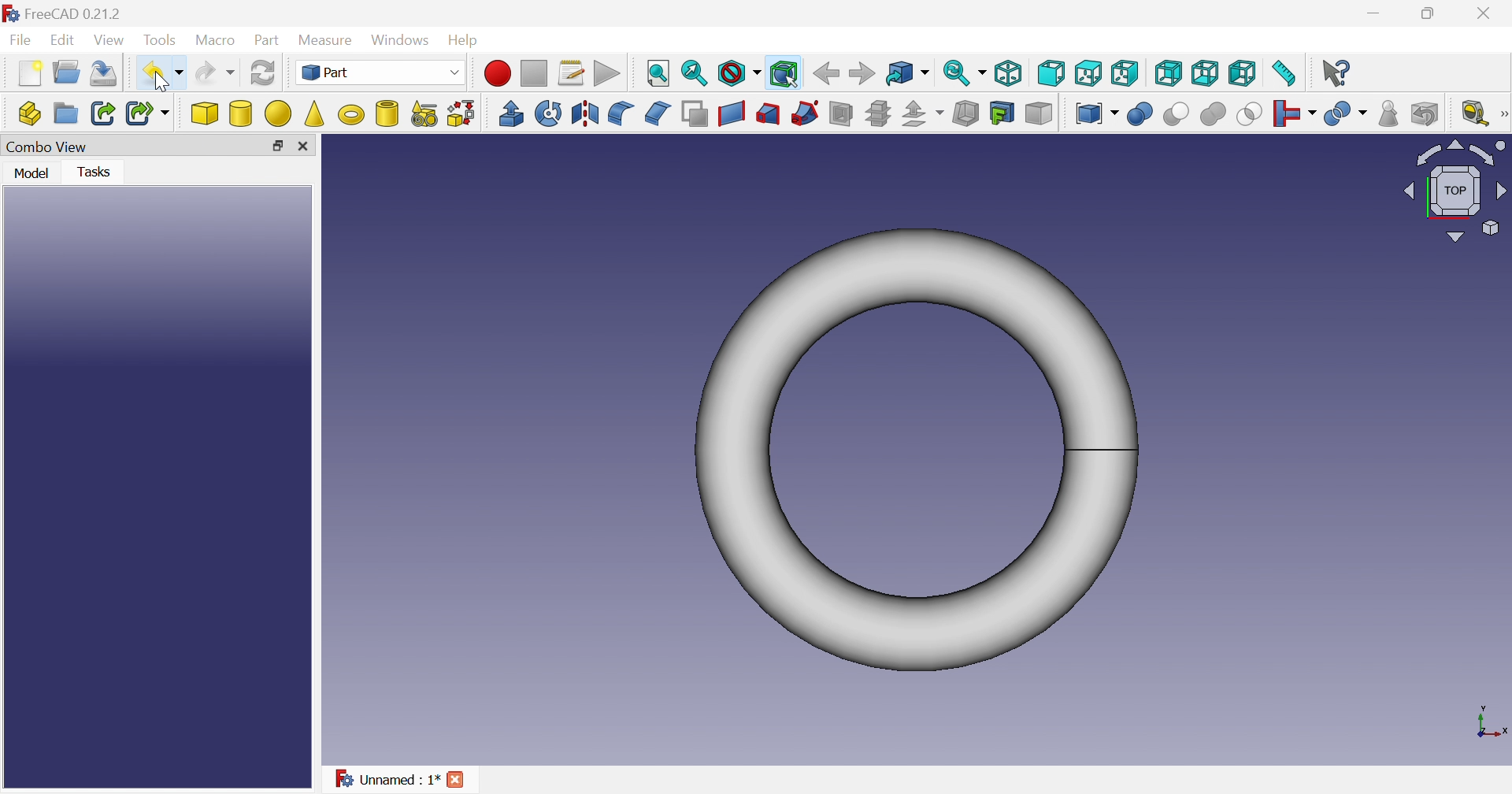  Describe the element at coordinates (1475, 113) in the screenshot. I see `Measure liner` at that location.